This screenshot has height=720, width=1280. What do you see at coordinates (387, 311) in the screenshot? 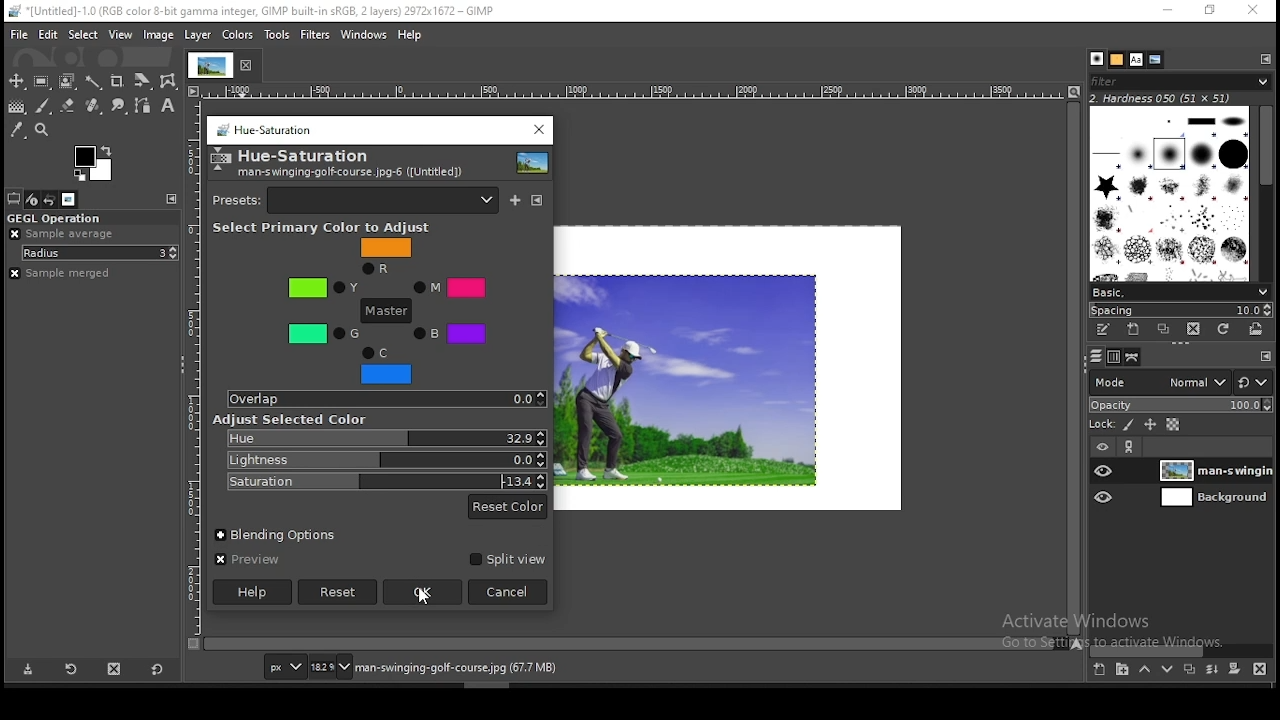
I see `master` at bounding box center [387, 311].